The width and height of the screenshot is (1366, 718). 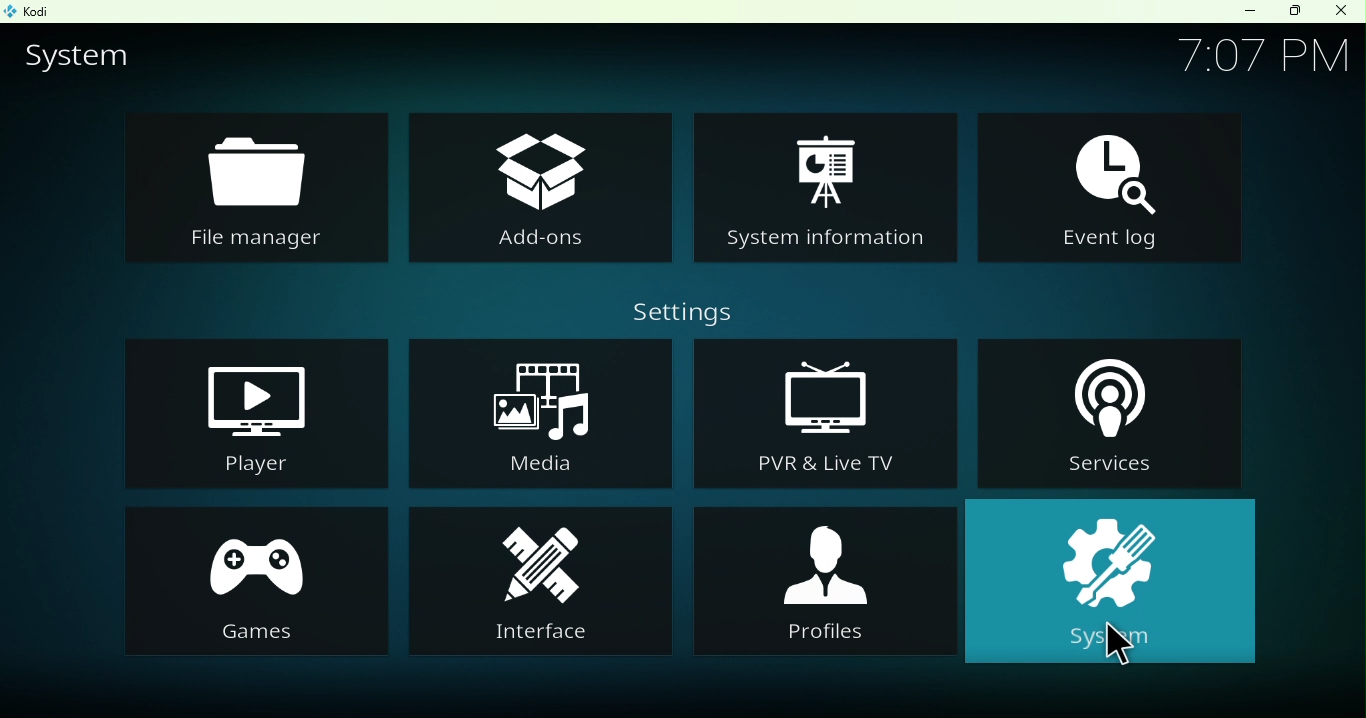 I want to click on Player, so click(x=250, y=413).